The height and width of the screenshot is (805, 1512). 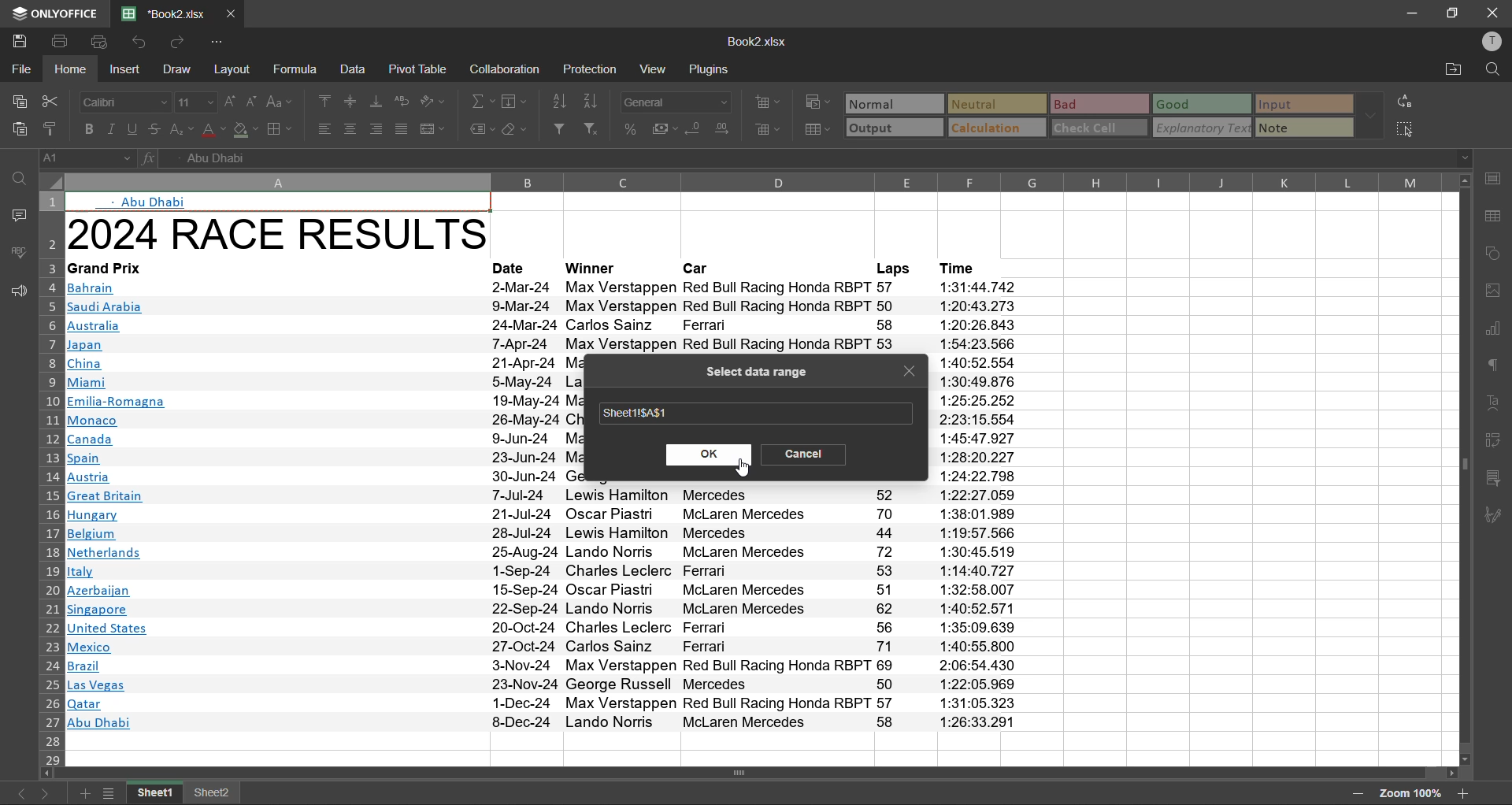 I want to click on print, so click(x=61, y=41).